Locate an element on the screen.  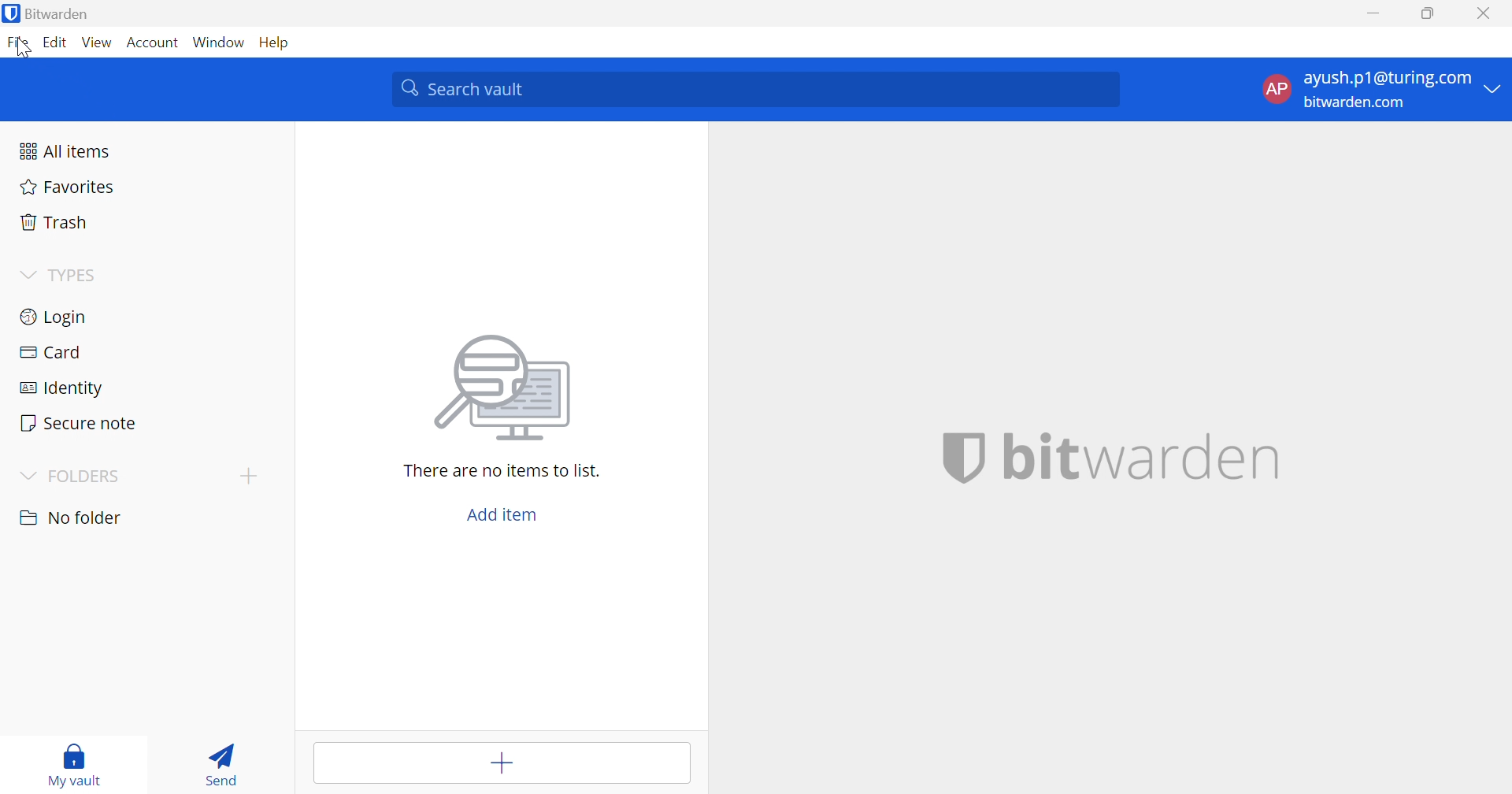
Drop Down is located at coordinates (27, 477).